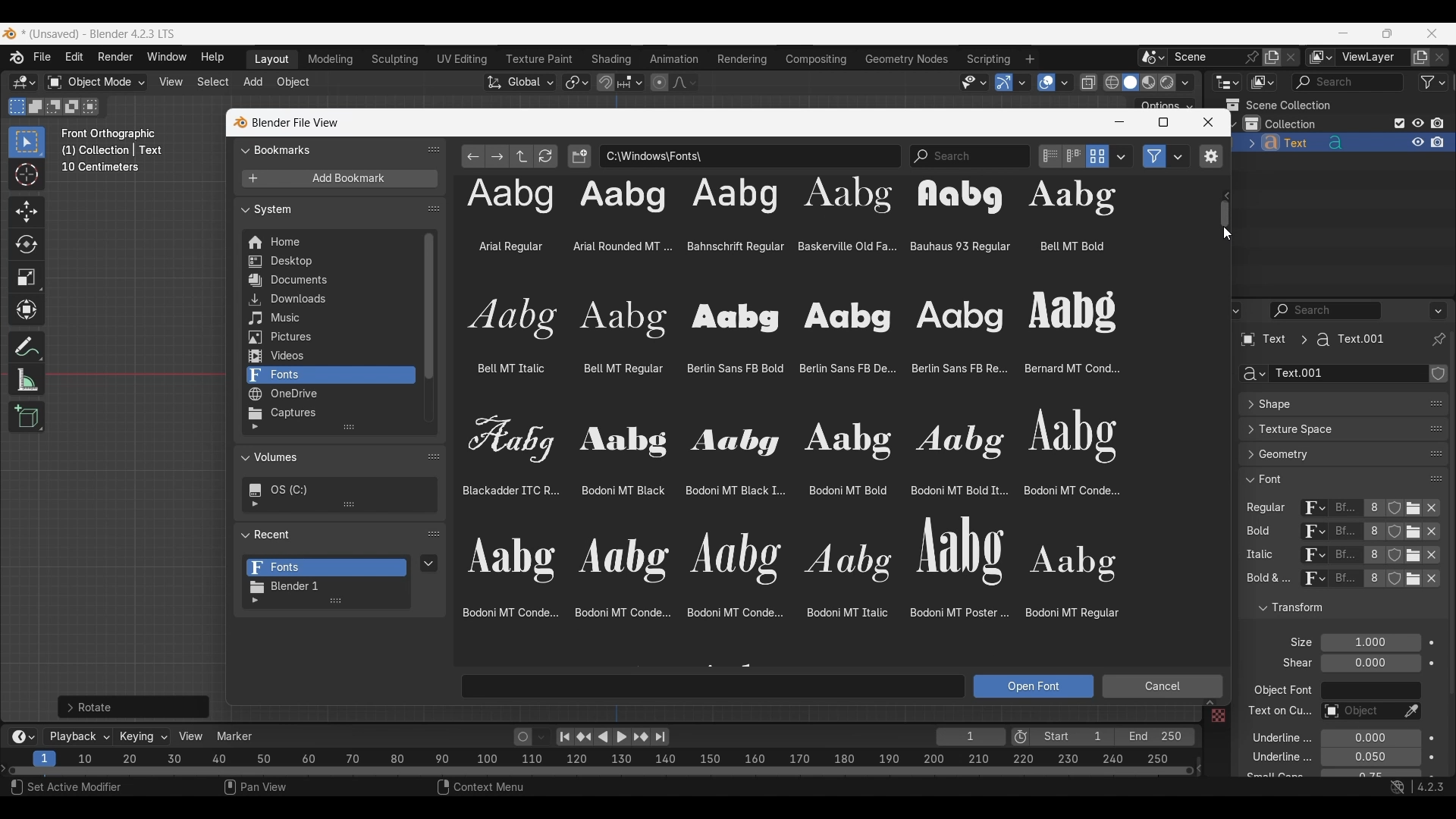  I want to click on Filter files, so click(1154, 156).